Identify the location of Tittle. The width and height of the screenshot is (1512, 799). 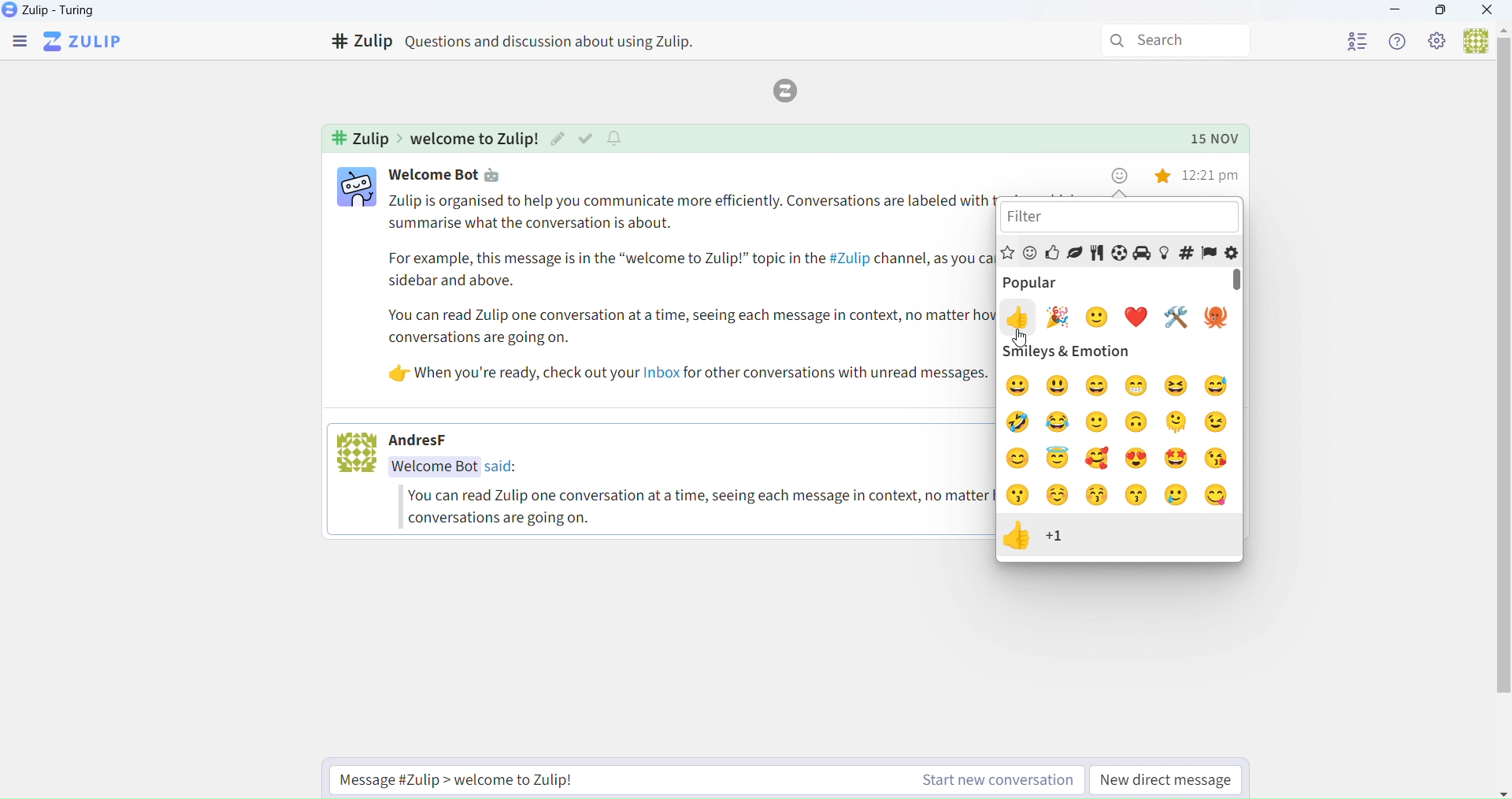
(529, 41).